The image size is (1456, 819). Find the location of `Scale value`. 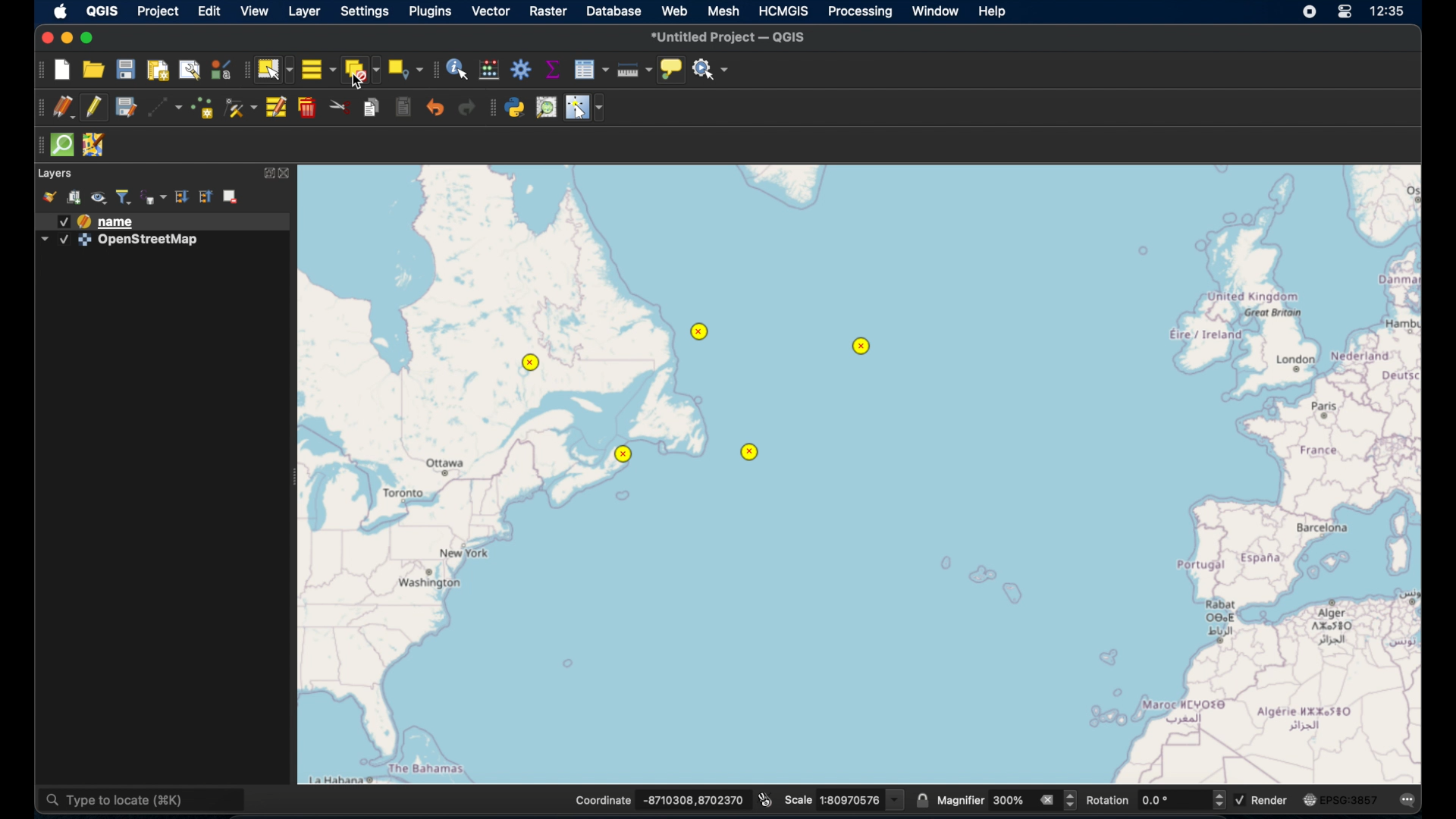

Scale value is located at coordinates (862, 801).